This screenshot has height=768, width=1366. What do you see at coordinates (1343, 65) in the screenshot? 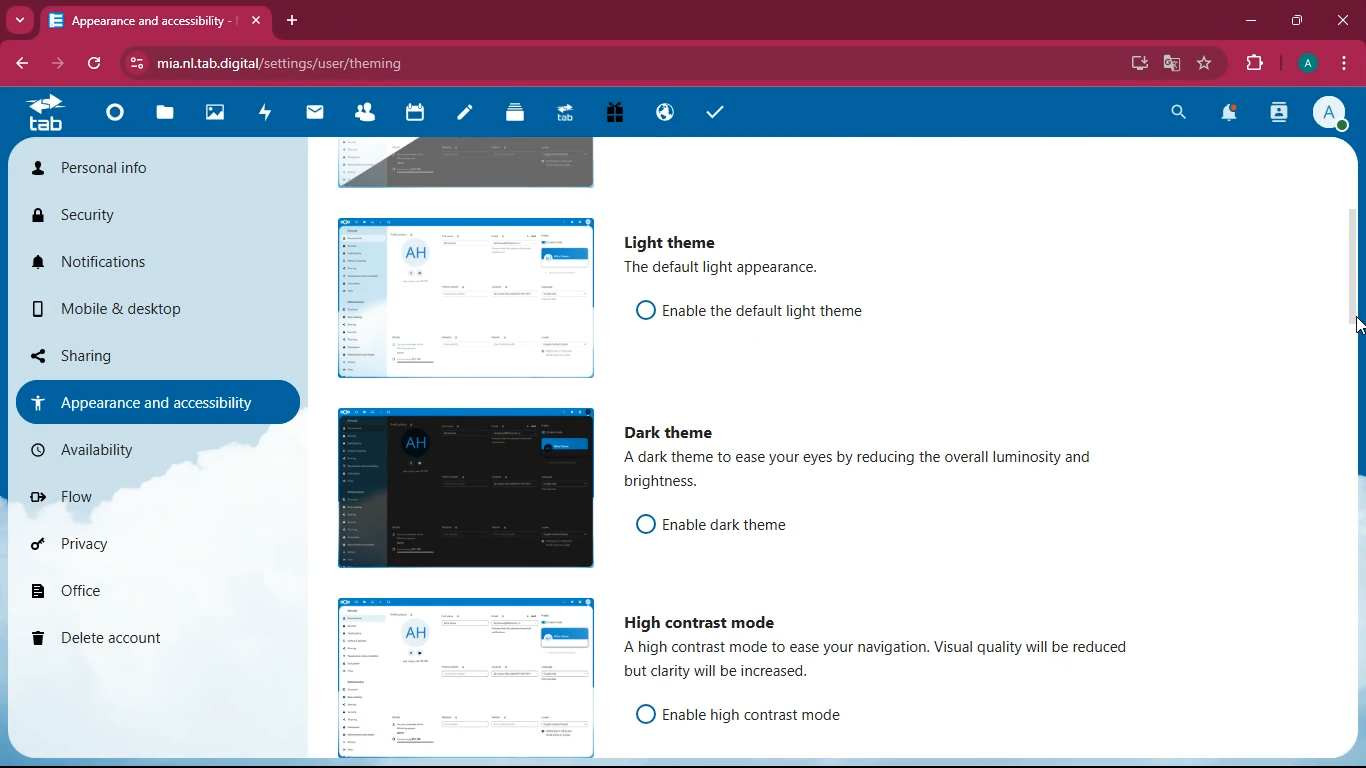
I see `menu` at bounding box center [1343, 65].